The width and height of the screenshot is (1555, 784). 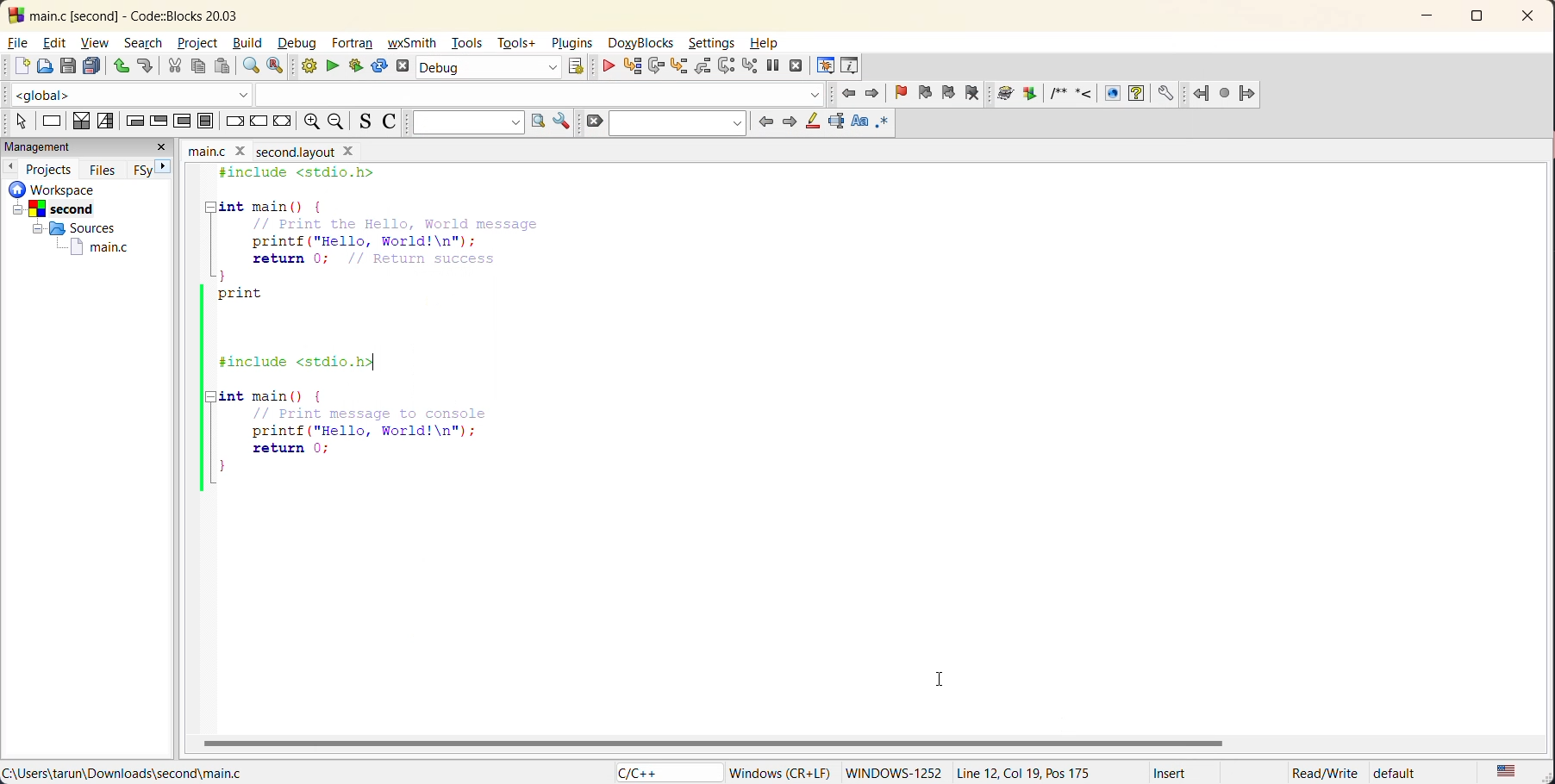 I want to click on default, so click(x=1405, y=773).